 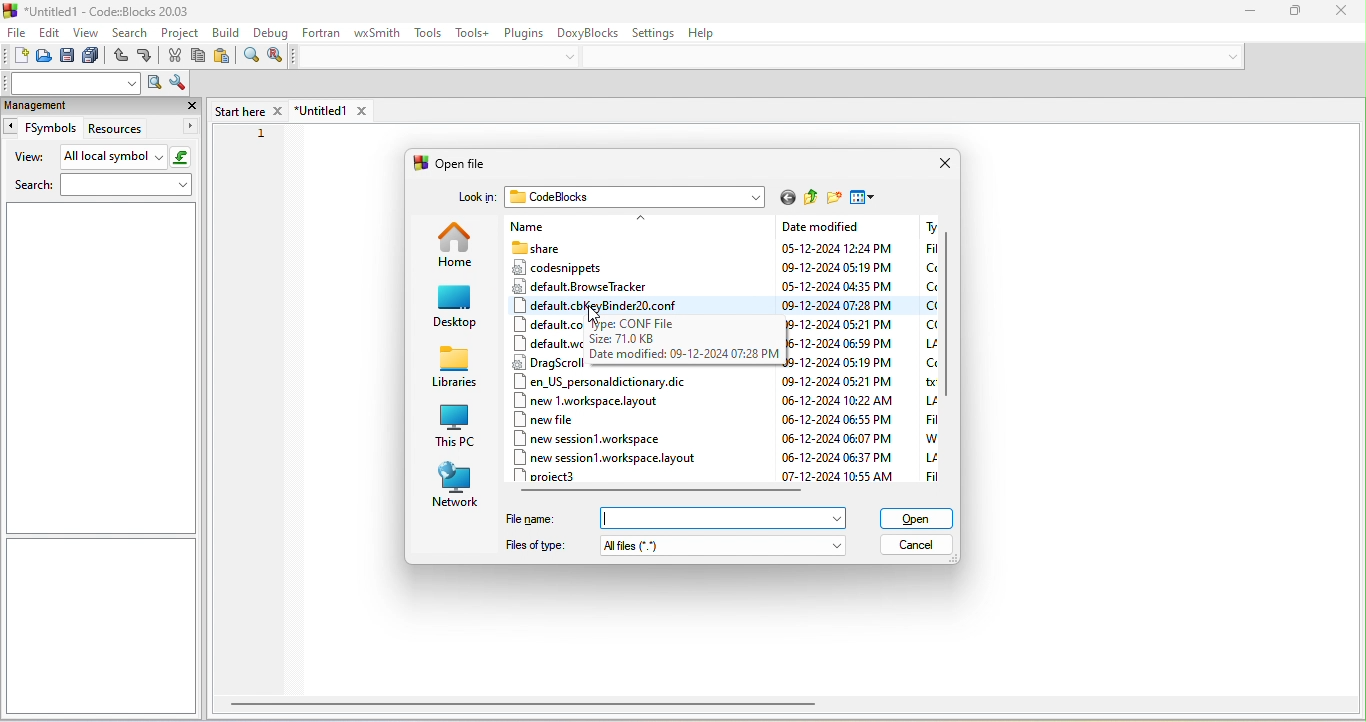 What do you see at coordinates (102, 10) in the screenshot?
I see `title` at bounding box center [102, 10].